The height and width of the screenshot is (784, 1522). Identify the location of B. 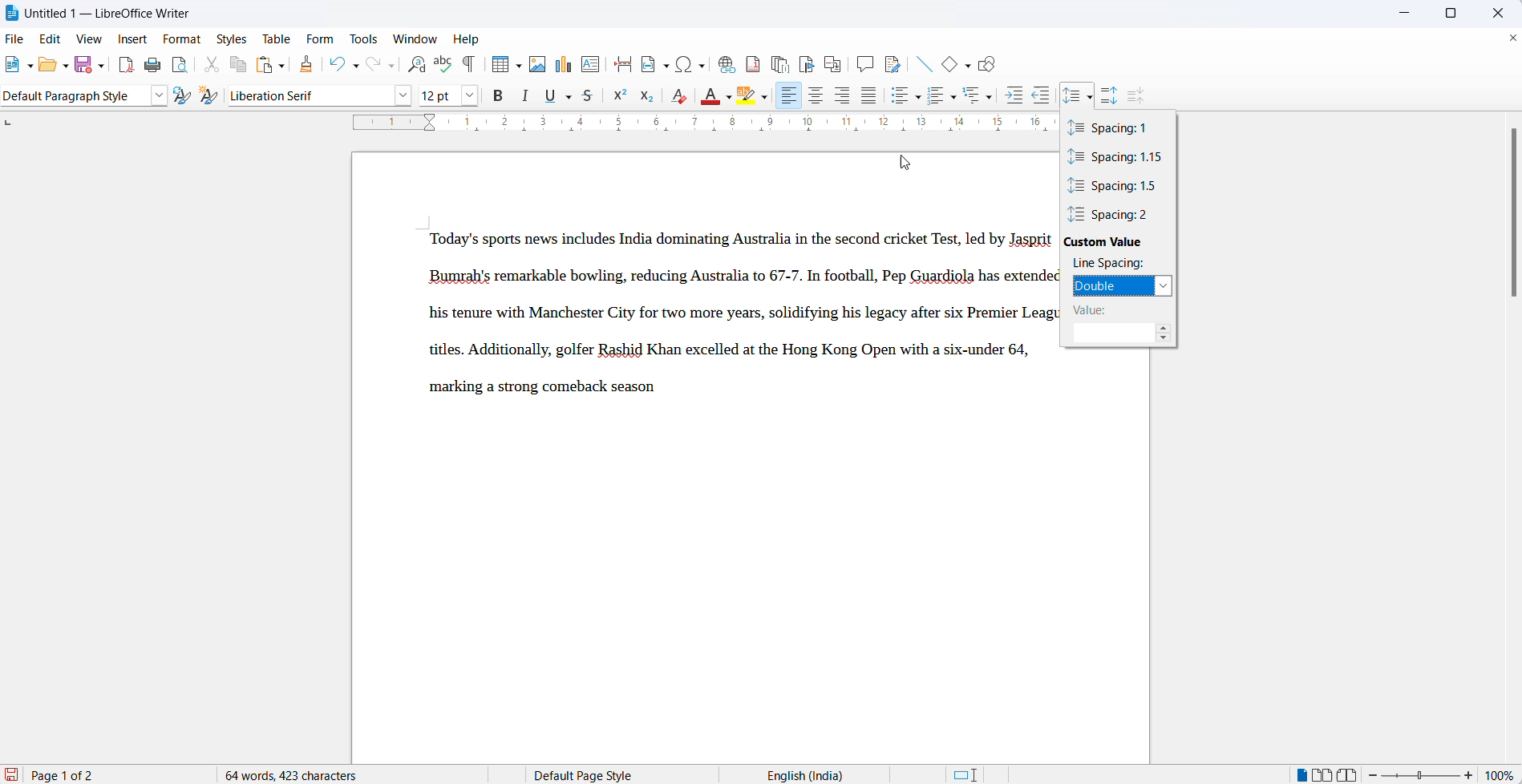
(500, 96).